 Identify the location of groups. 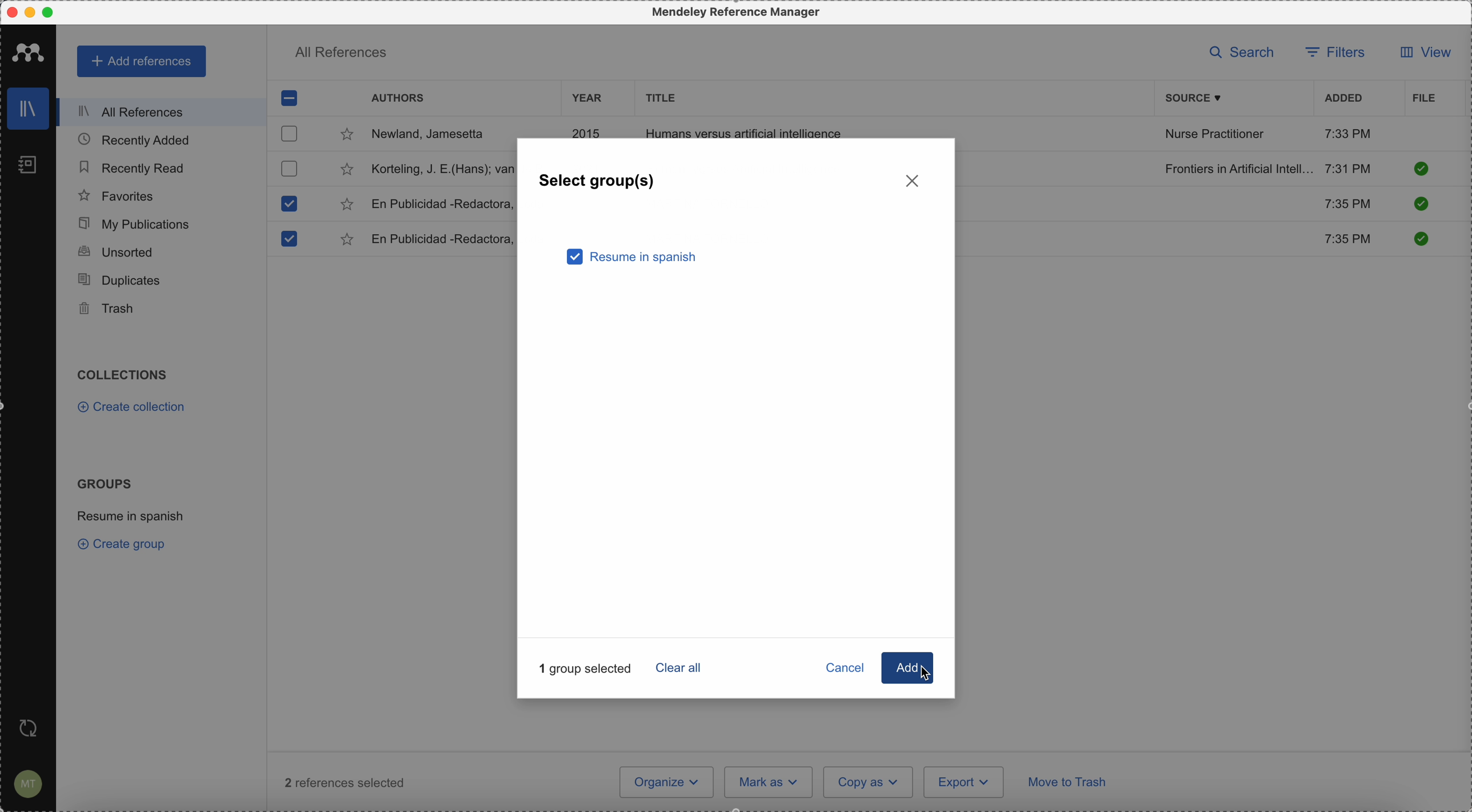
(104, 482).